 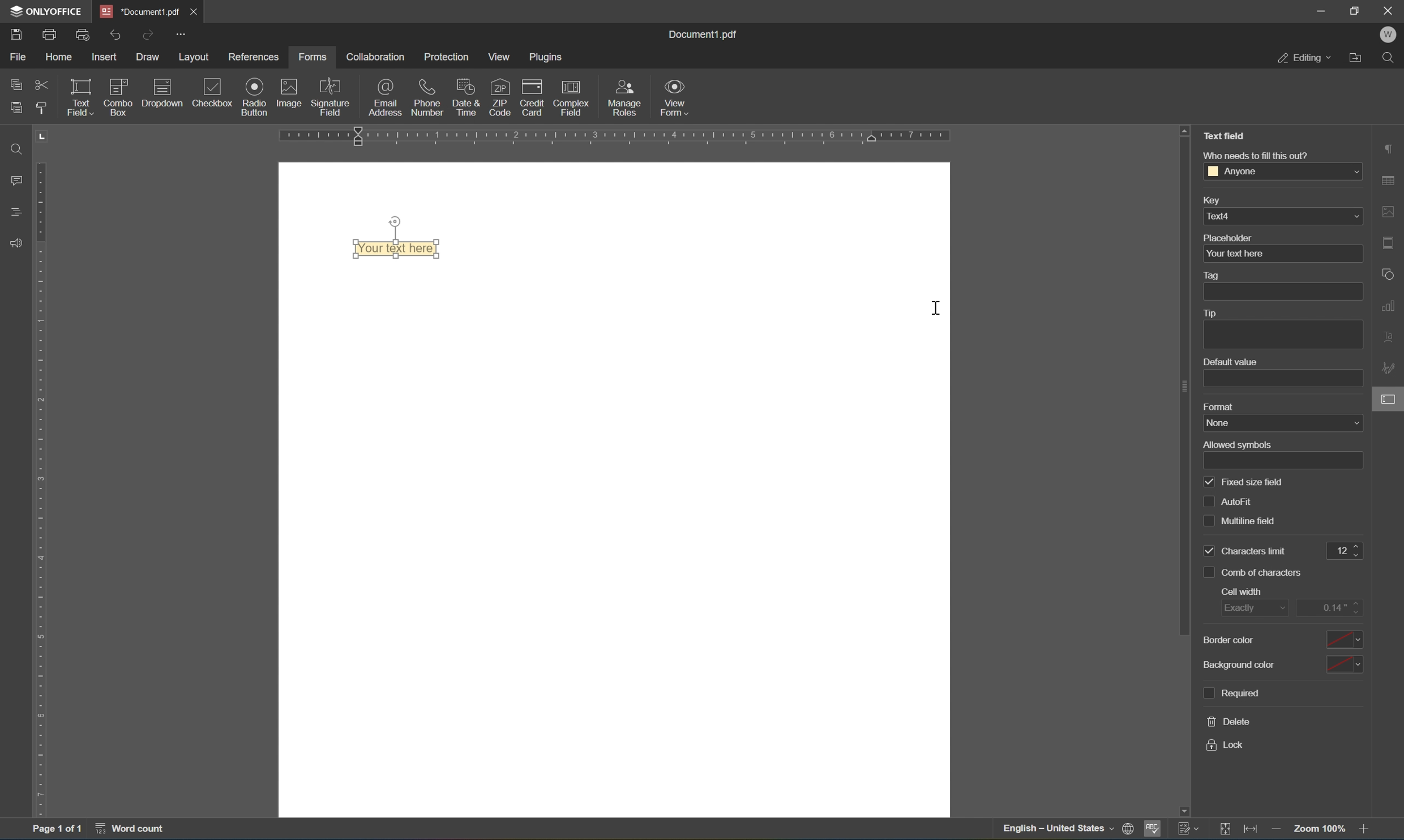 What do you see at coordinates (1390, 368) in the screenshot?
I see `signature settings` at bounding box center [1390, 368].